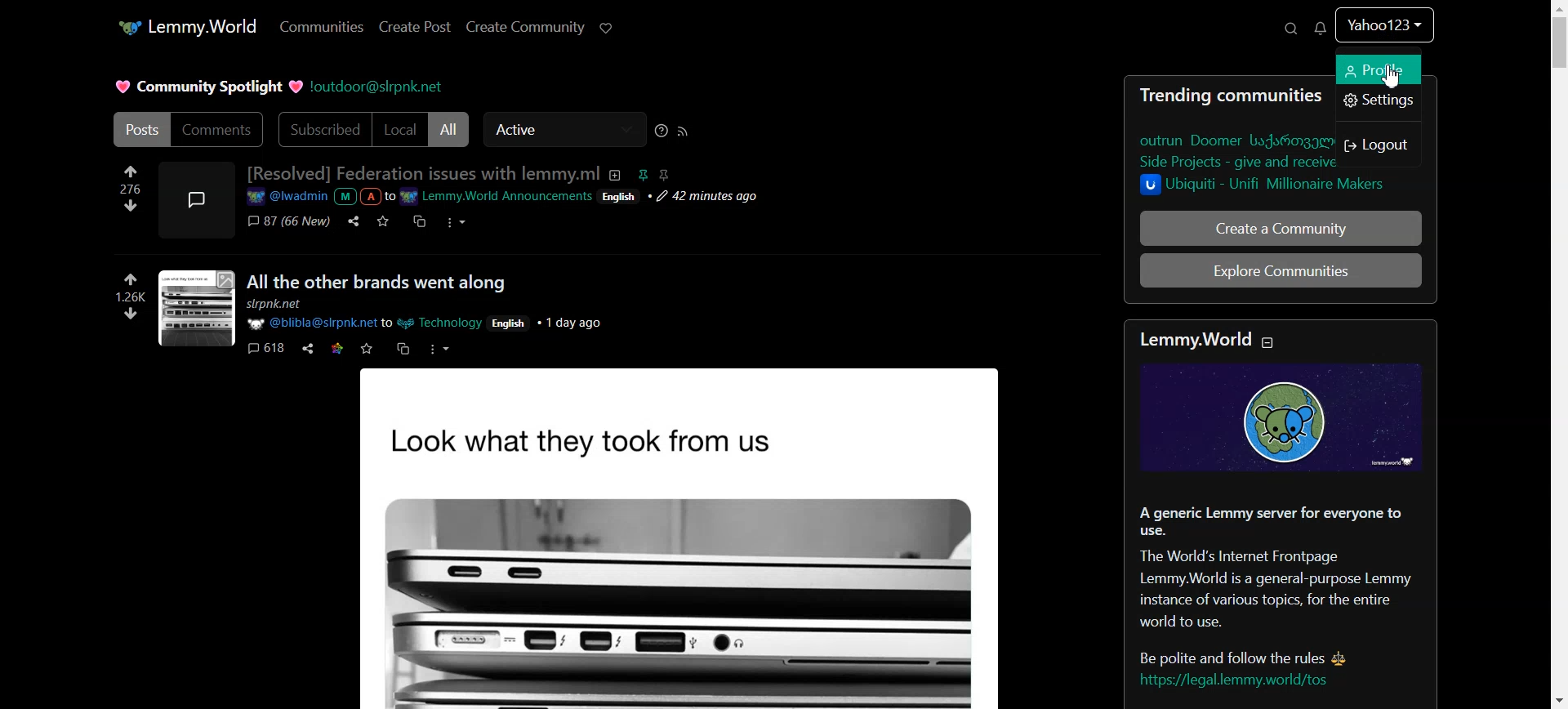  I want to click on Subscribed, so click(323, 129).